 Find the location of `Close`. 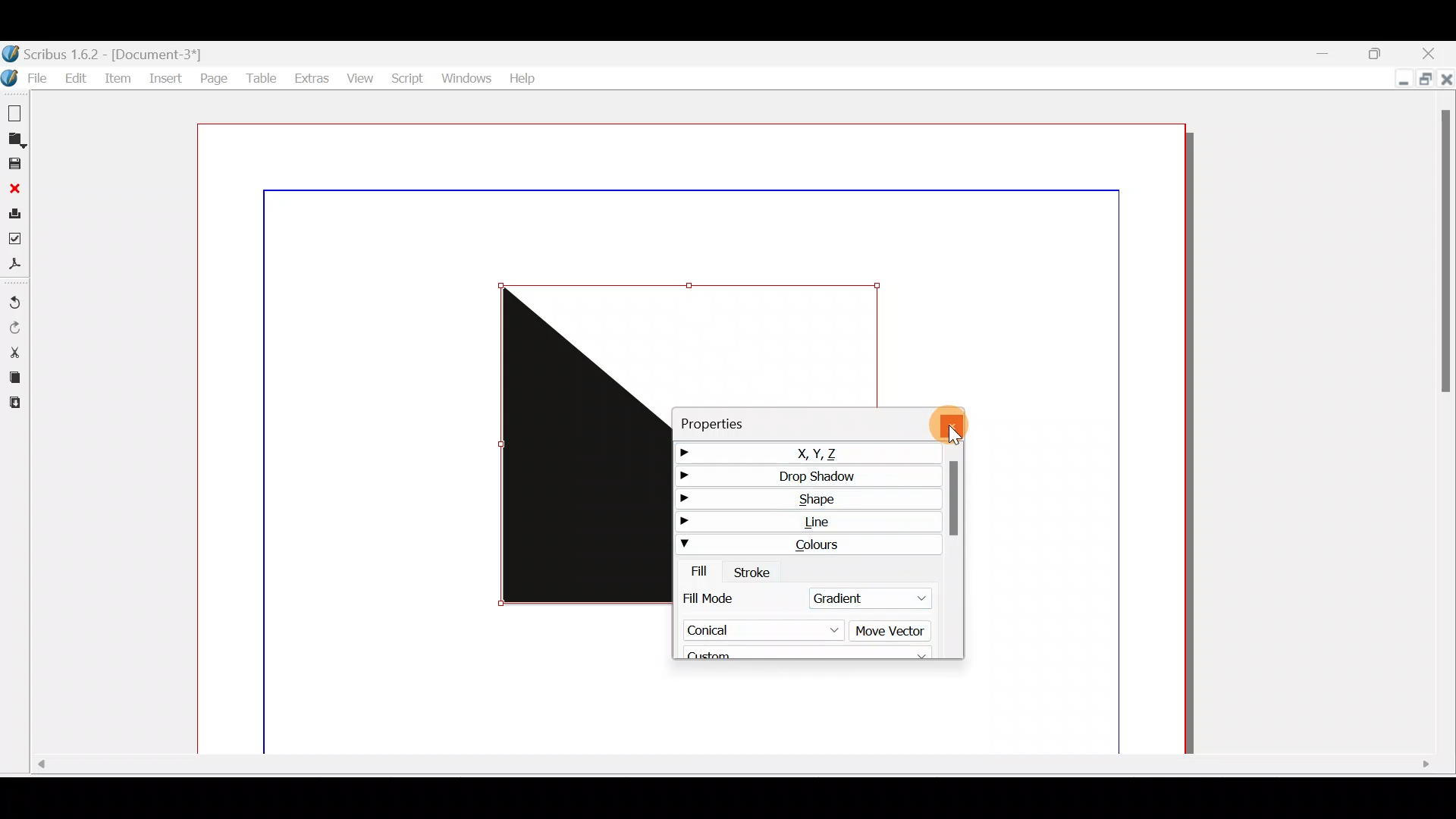

Close is located at coordinates (1436, 55).